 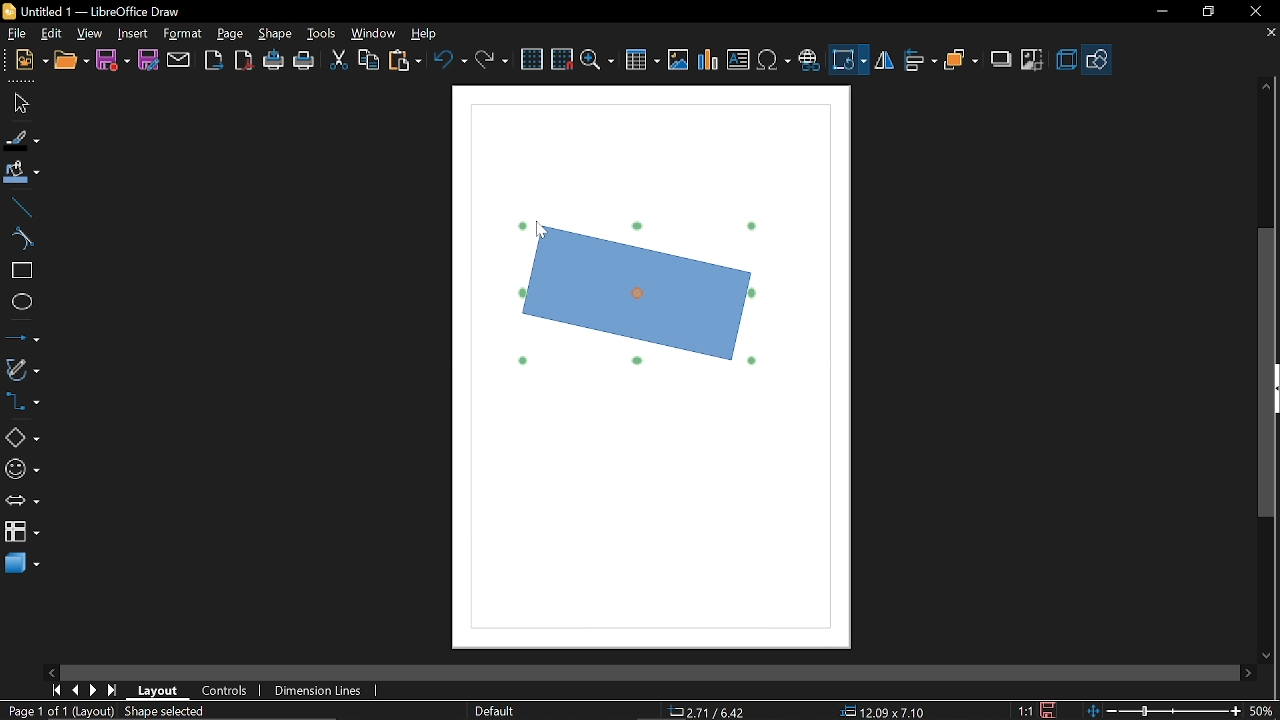 What do you see at coordinates (15, 34) in the screenshot?
I see `file ` at bounding box center [15, 34].